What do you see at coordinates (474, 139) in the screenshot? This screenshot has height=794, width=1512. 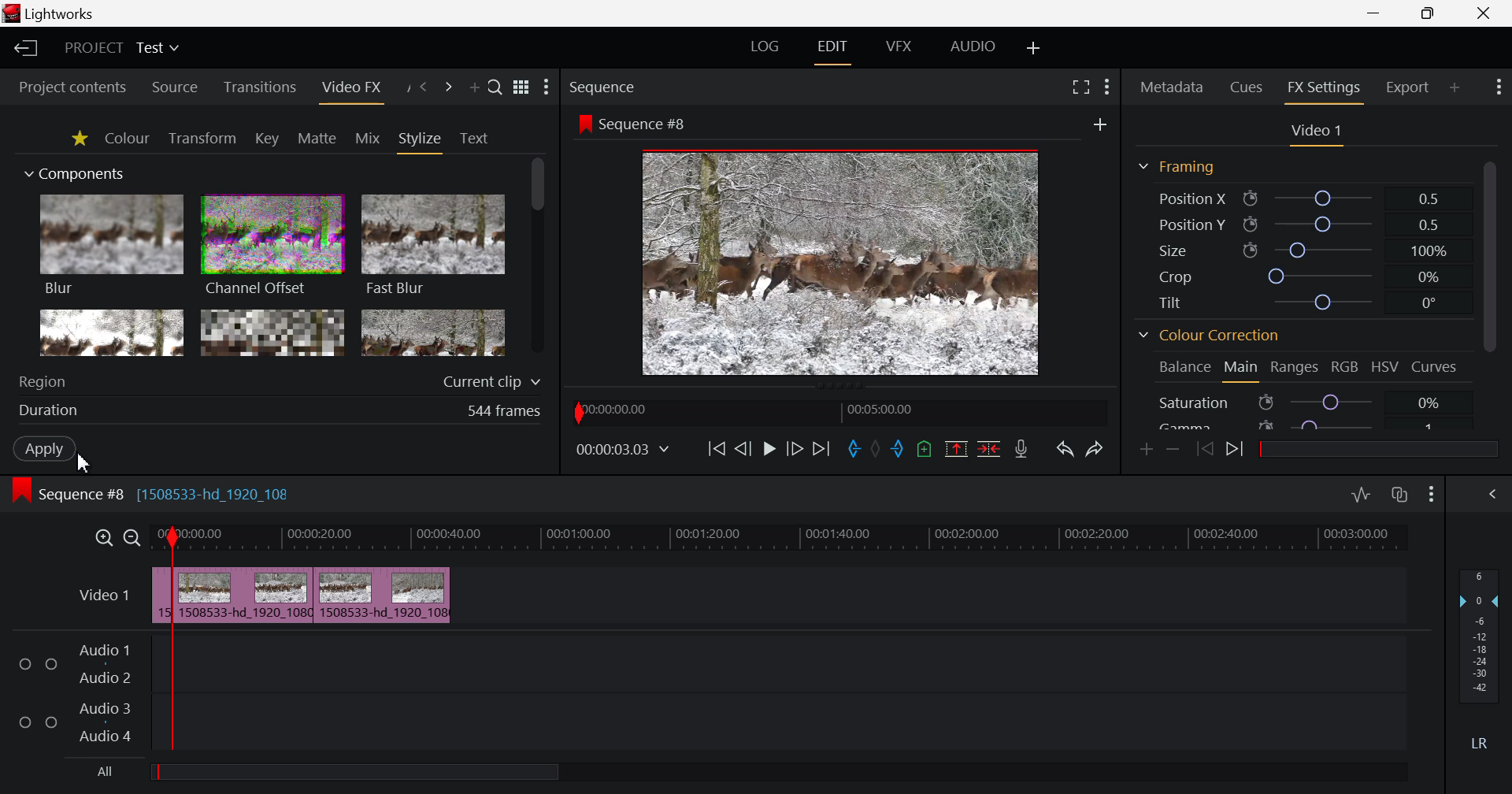 I see `Text` at bounding box center [474, 139].